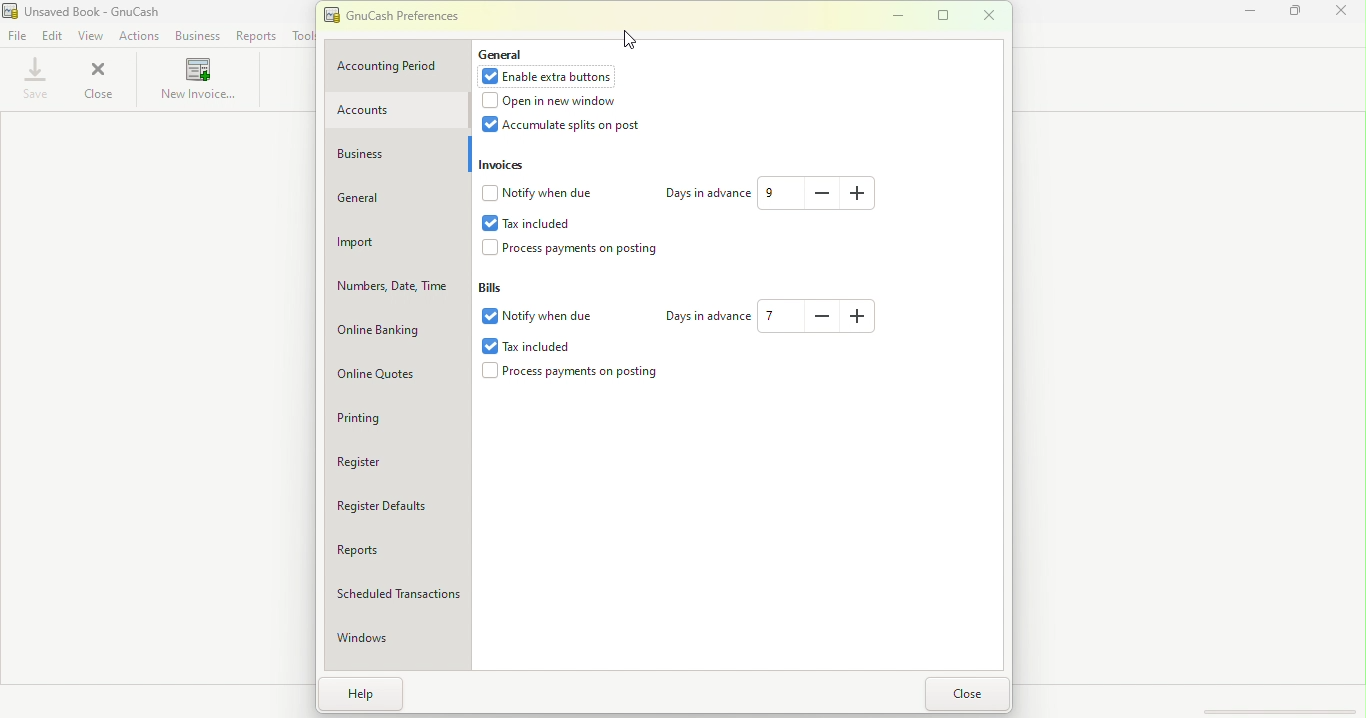  What do you see at coordinates (55, 37) in the screenshot?
I see `Edit` at bounding box center [55, 37].